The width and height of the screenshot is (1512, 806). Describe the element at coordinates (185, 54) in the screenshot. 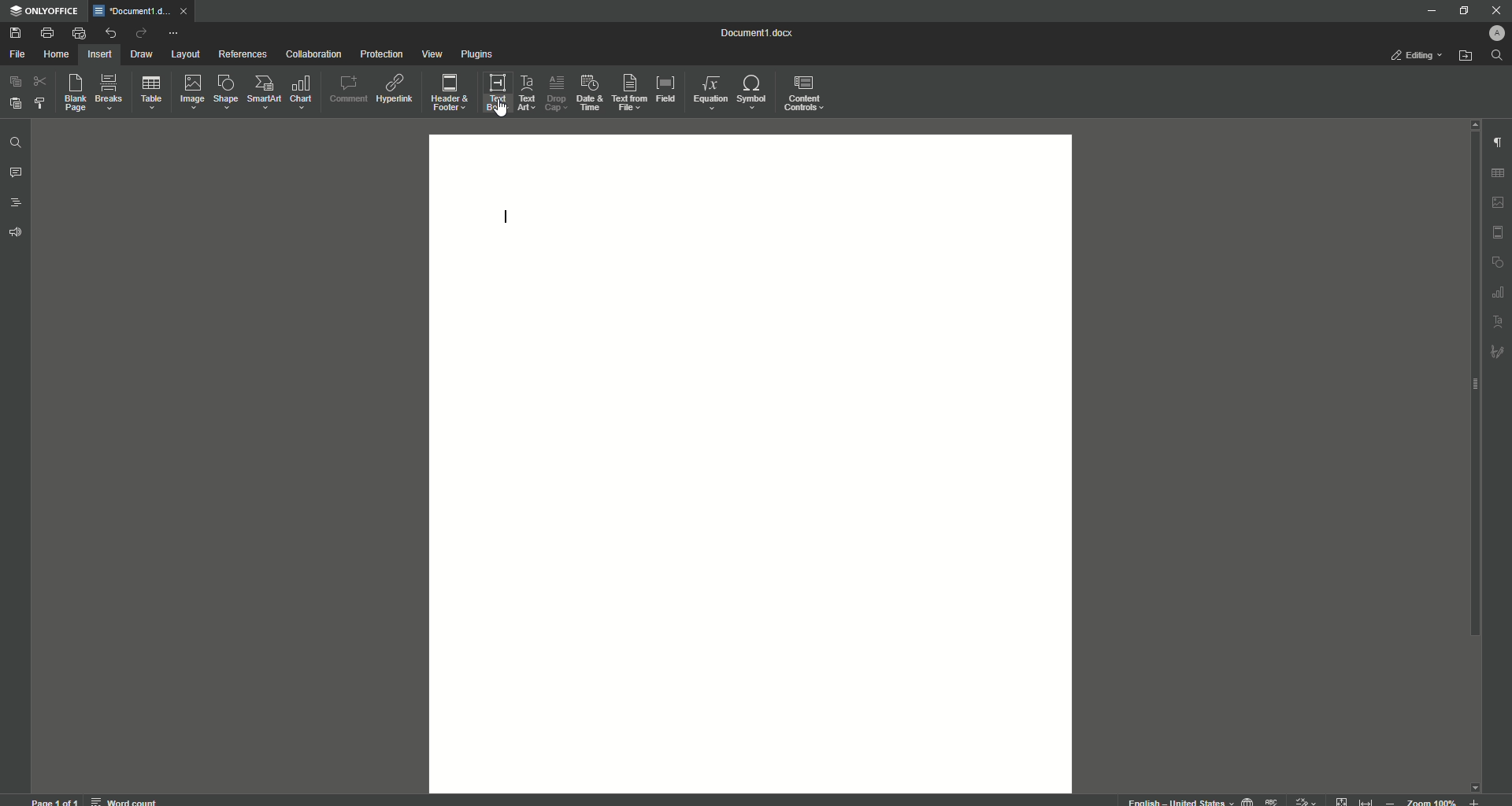

I see `Layout` at that location.